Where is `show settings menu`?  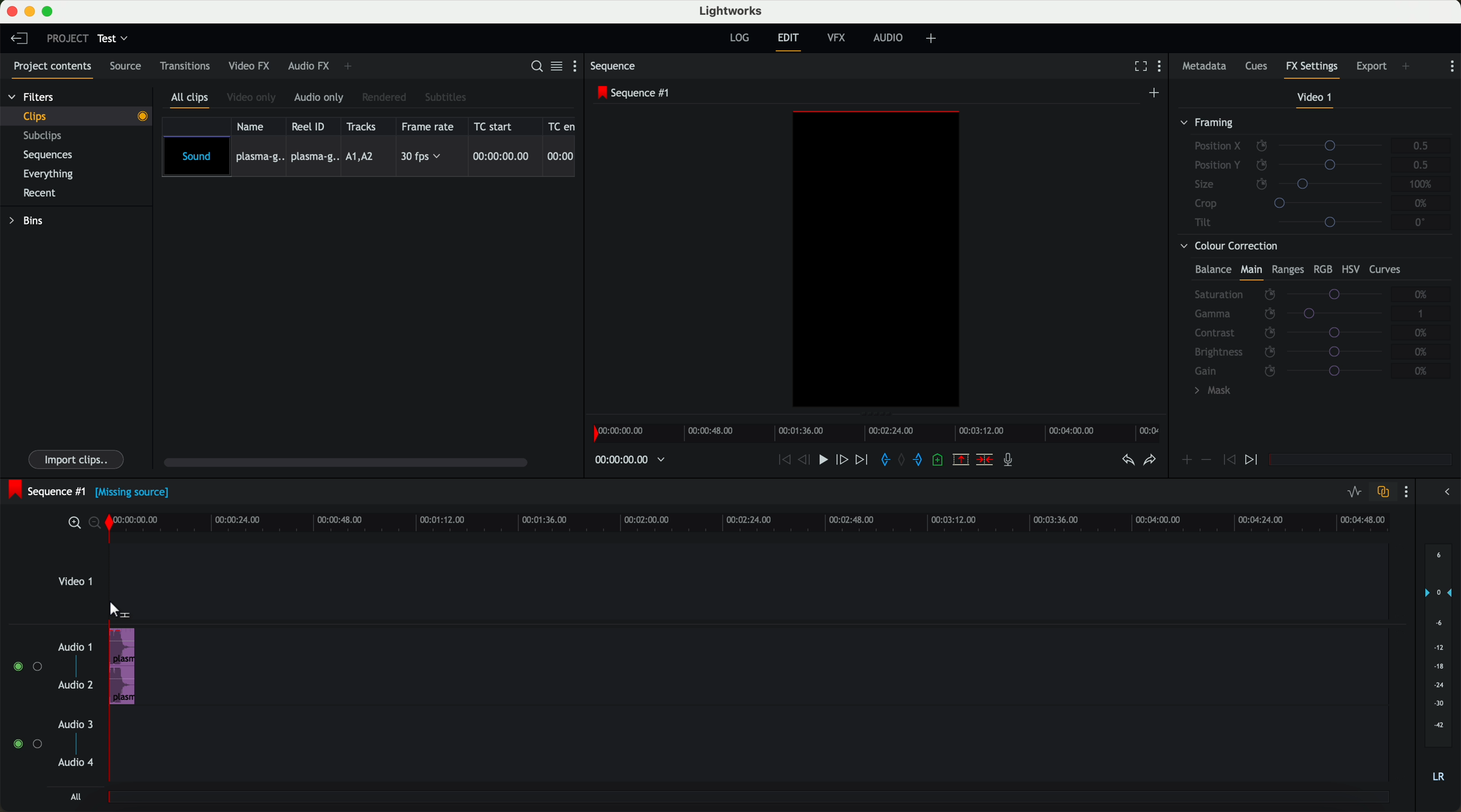
show settings menu is located at coordinates (577, 68).